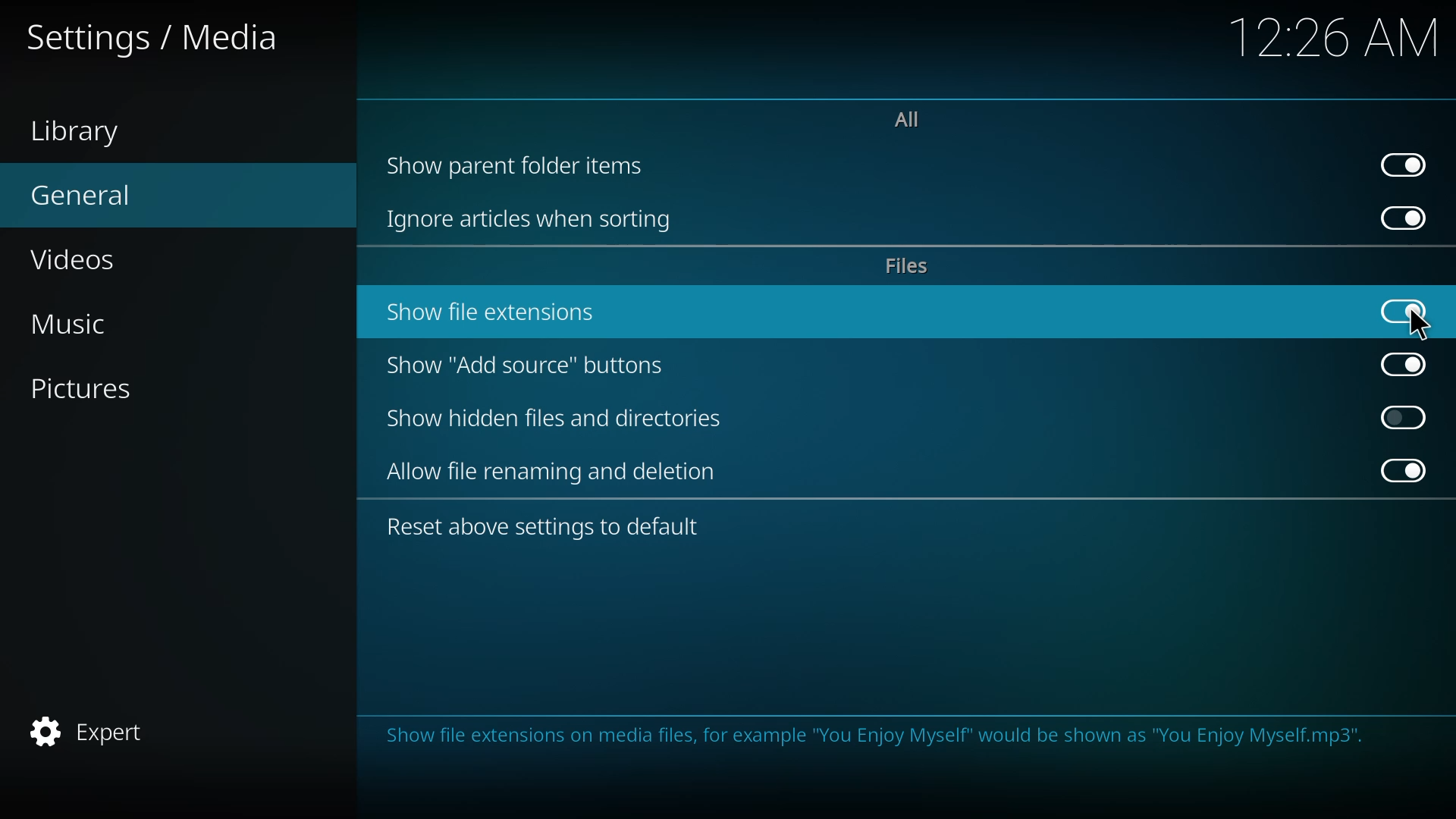 The height and width of the screenshot is (819, 1456). I want to click on click to enable, so click(1404, 415).